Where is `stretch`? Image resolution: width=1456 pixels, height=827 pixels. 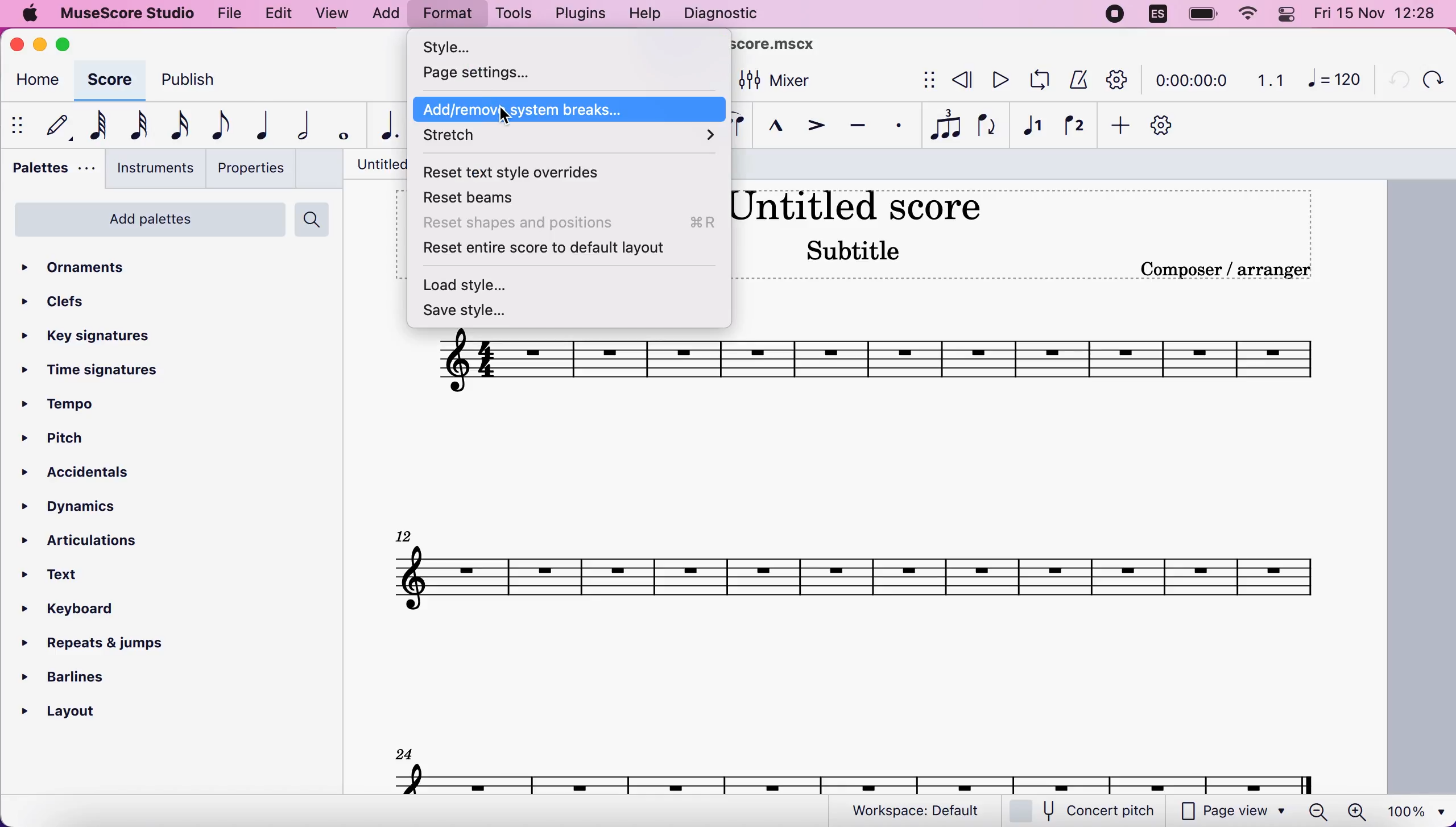 stretch is located at coordinates (573, 140).